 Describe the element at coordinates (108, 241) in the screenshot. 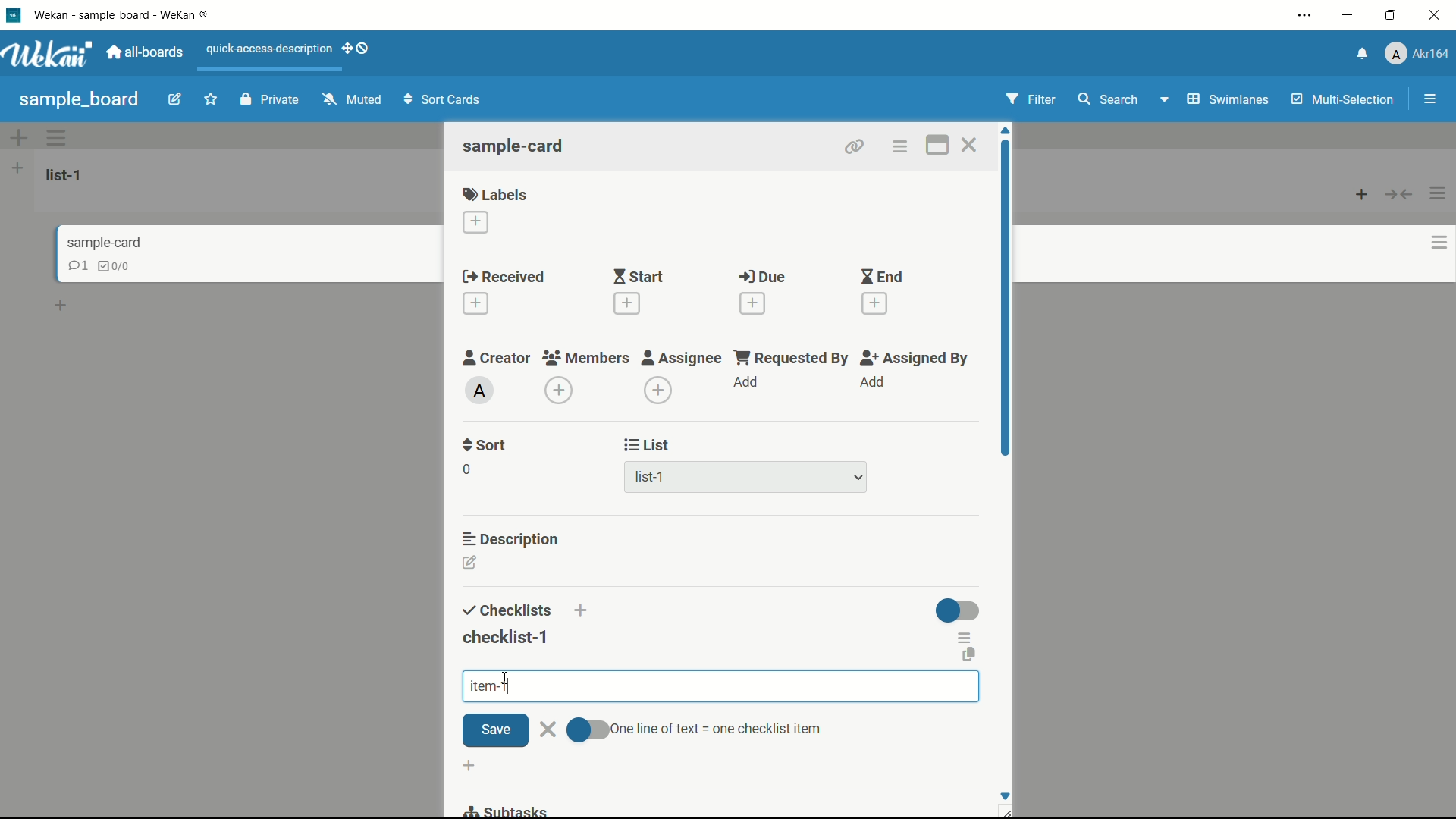

I see `sample-card` at that location.